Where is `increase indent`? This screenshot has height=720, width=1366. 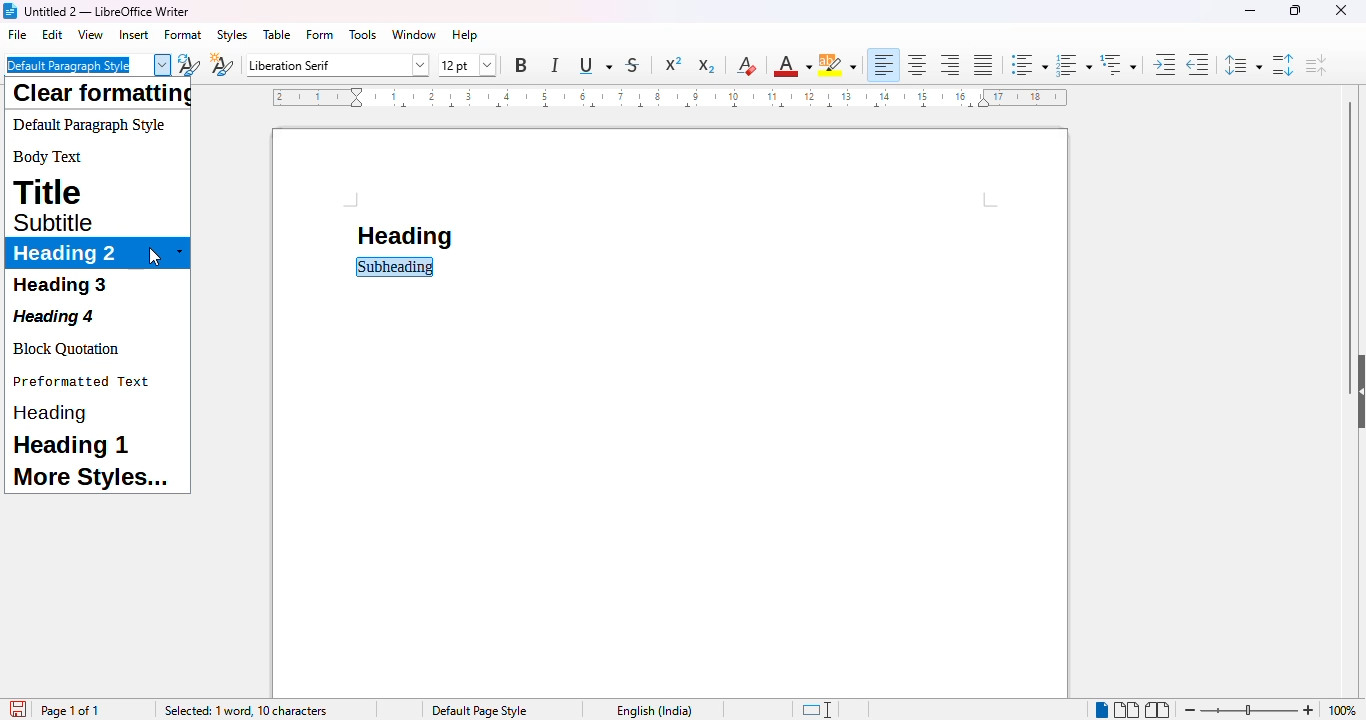
increase indent is located at coordinates (1163, 64).